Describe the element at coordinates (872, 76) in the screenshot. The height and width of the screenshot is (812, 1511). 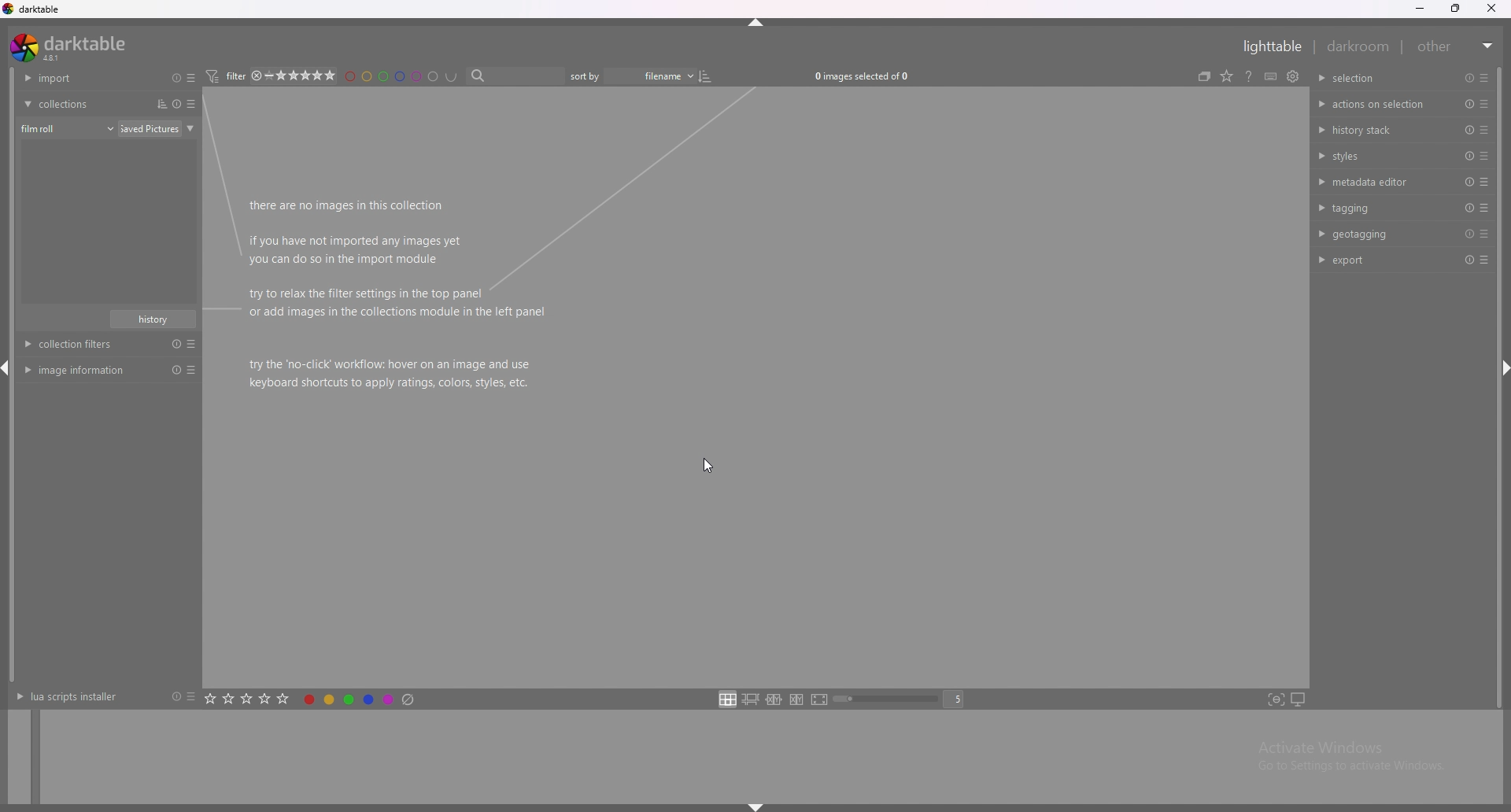
I see `1 image selected` at that location.